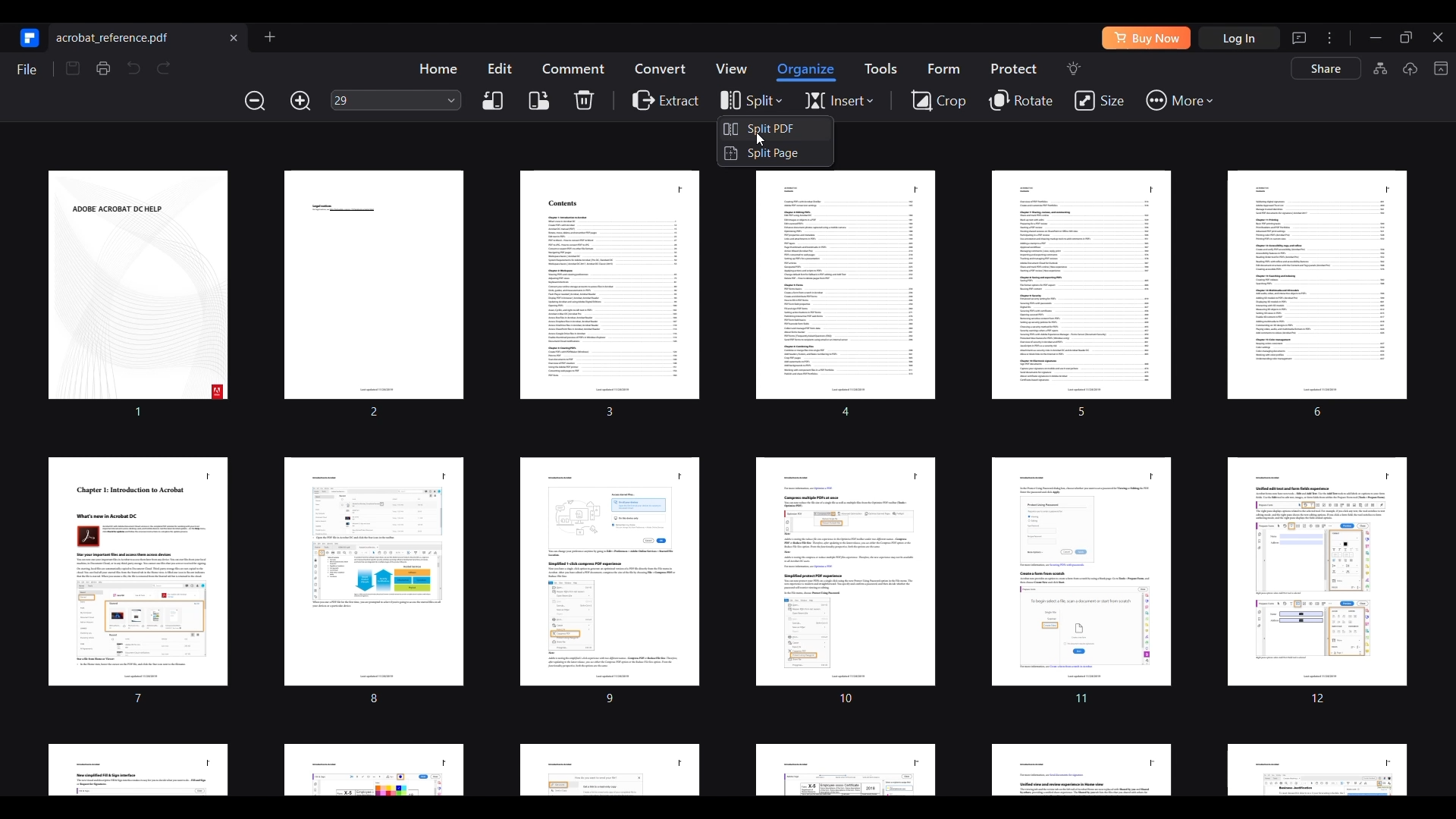 The image size is (1456, 819). What do you see at coordinates (149, 36) in the screenshot?
I see `Current open file` at bounding box center [149, 36].